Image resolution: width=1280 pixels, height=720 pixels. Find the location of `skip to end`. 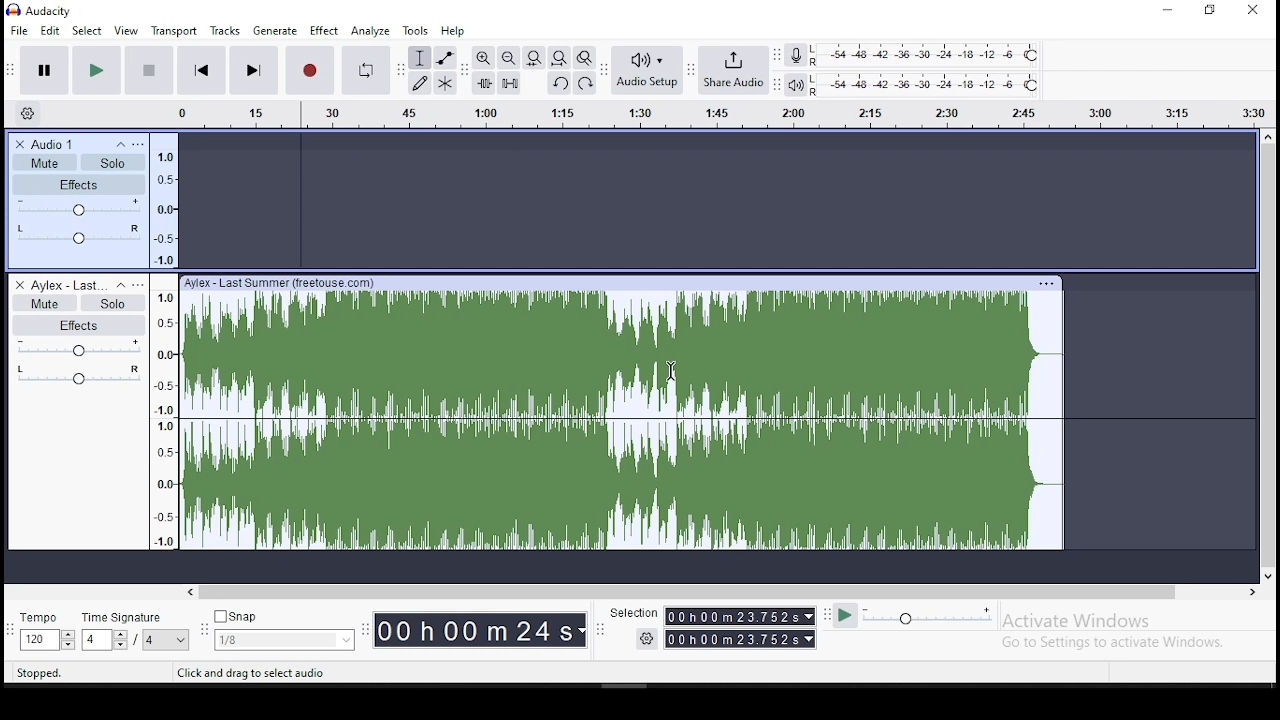

skip to end is located at coordinates (253, 71).